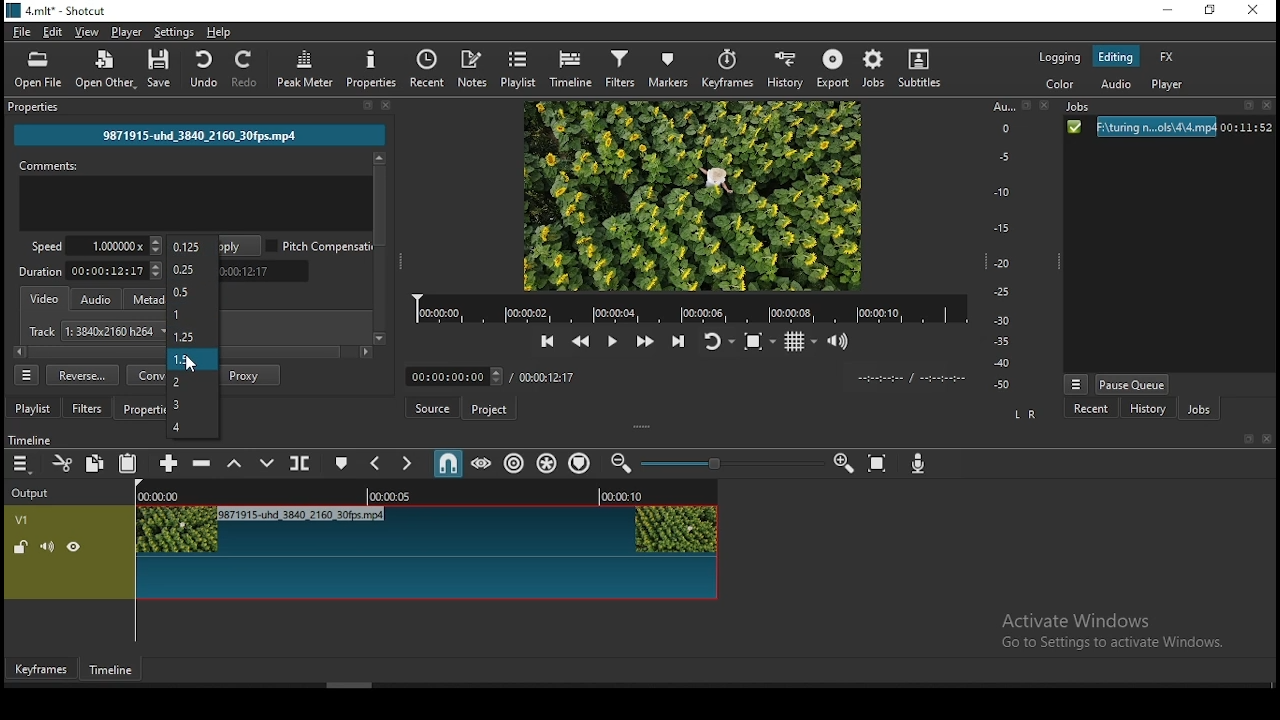  I want to click on 1, so click(191, 315).